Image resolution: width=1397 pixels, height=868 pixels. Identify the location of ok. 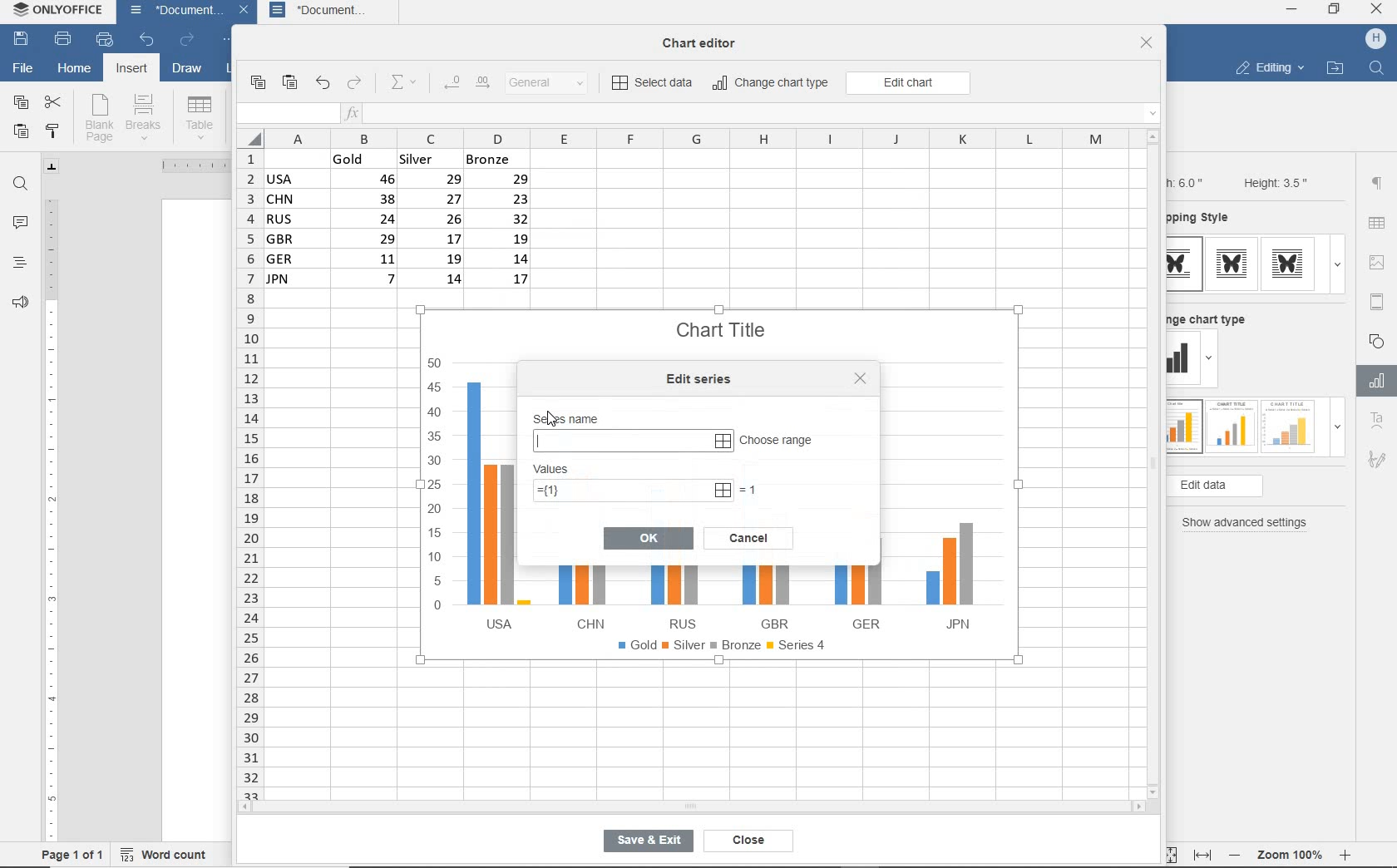
(649, 537).